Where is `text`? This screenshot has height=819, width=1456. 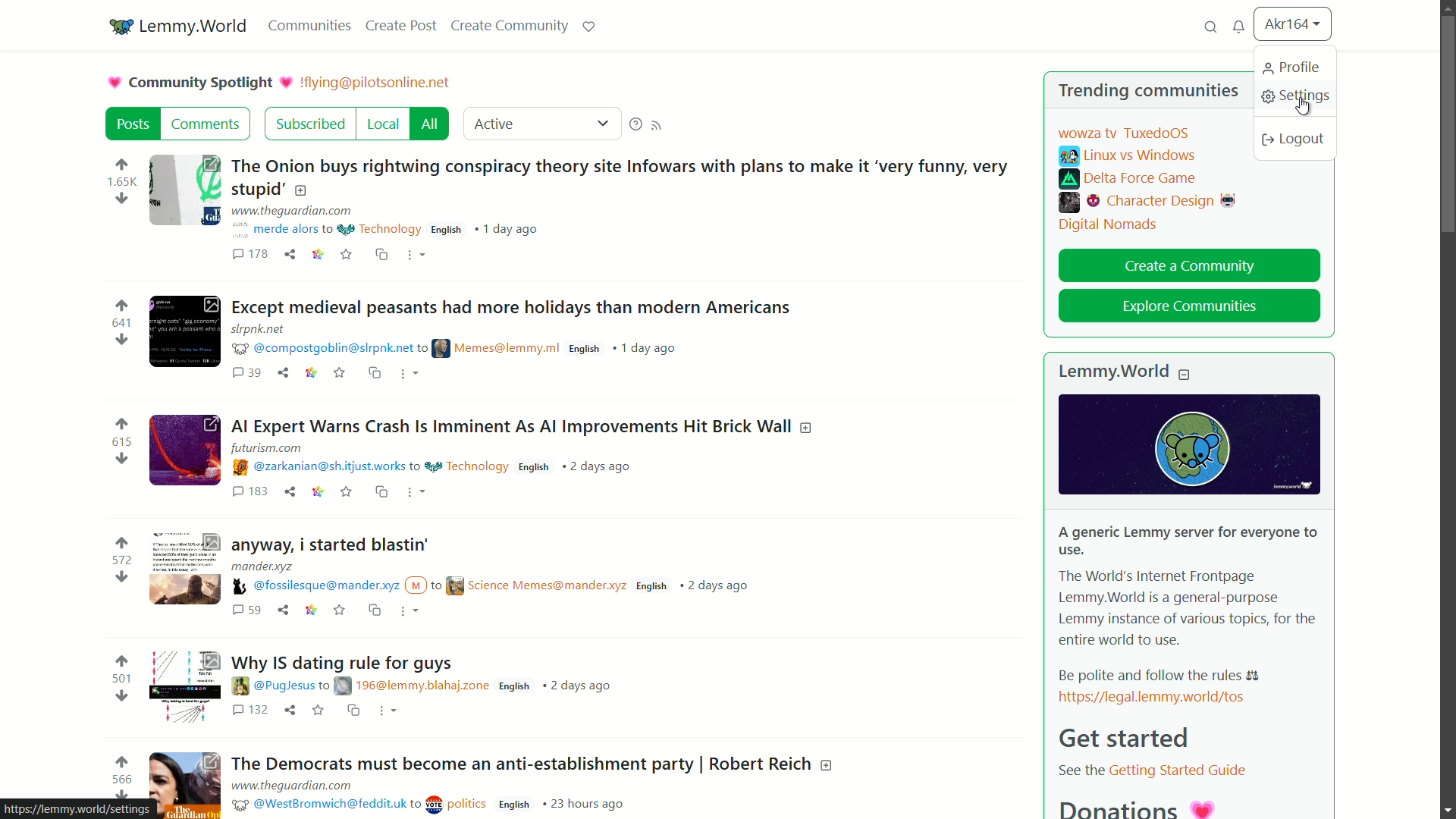 text is located at coordinates (1146, 771).